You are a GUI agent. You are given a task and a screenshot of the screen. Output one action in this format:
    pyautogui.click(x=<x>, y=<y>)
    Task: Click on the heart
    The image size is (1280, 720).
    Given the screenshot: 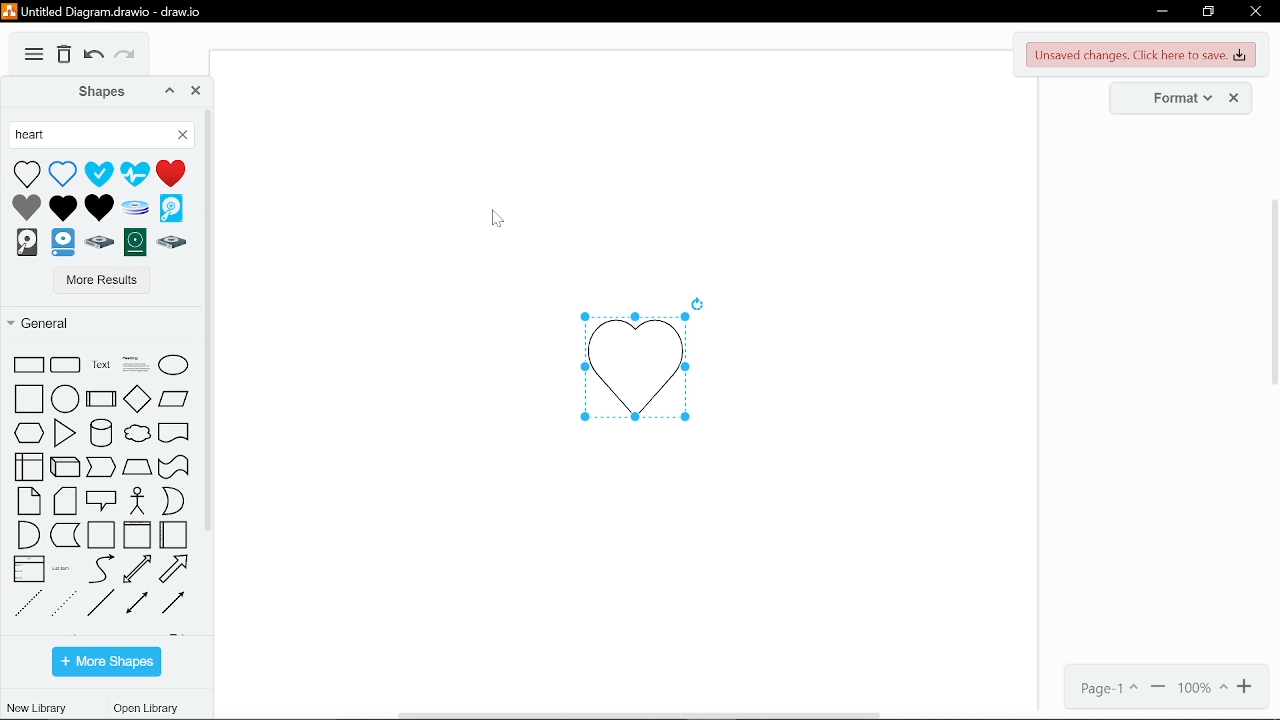 What is the action you would take?
    pyautogui.click(x=27, y=206)
    